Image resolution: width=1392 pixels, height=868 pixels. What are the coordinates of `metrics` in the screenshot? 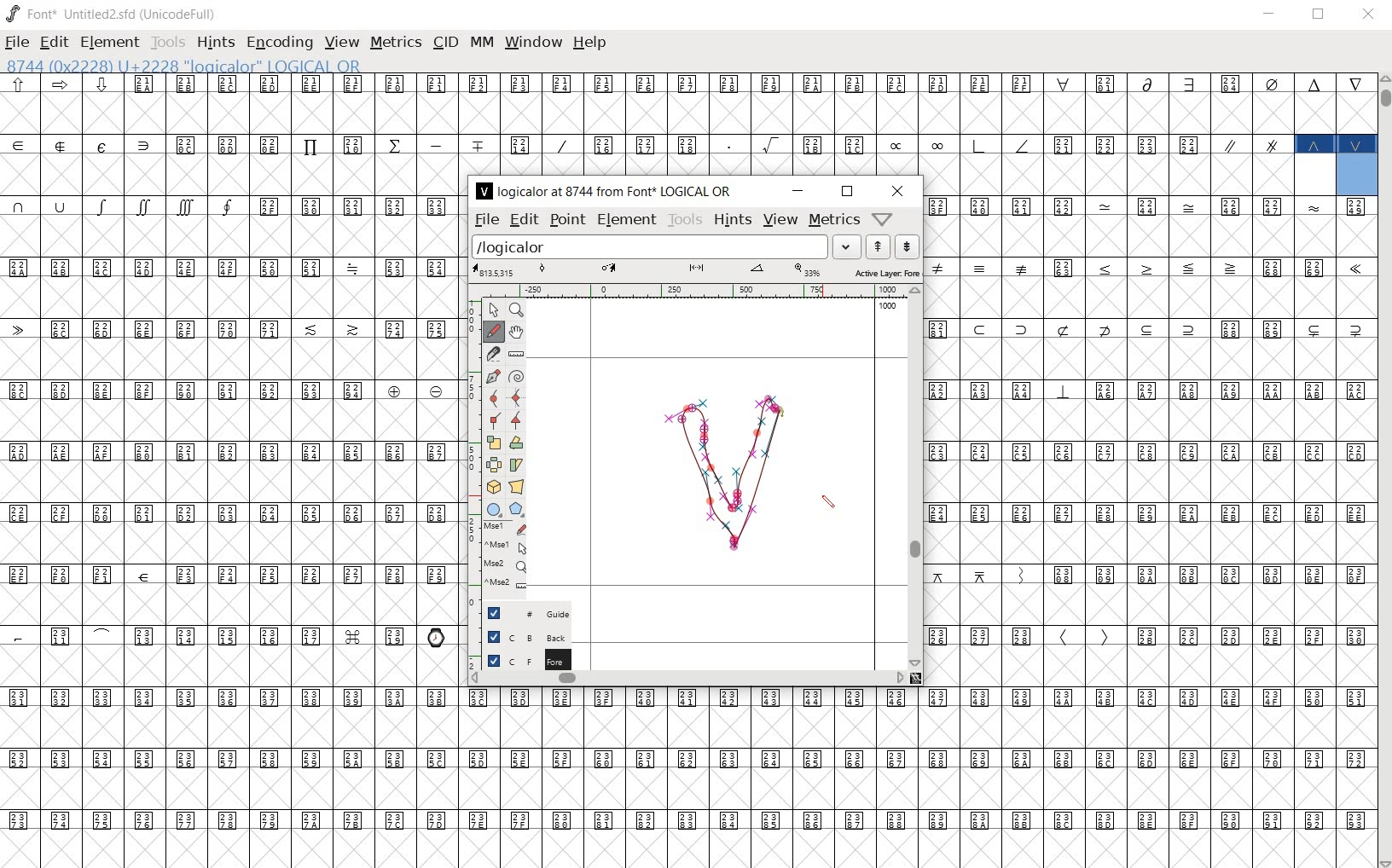 It's located at (834, 219).